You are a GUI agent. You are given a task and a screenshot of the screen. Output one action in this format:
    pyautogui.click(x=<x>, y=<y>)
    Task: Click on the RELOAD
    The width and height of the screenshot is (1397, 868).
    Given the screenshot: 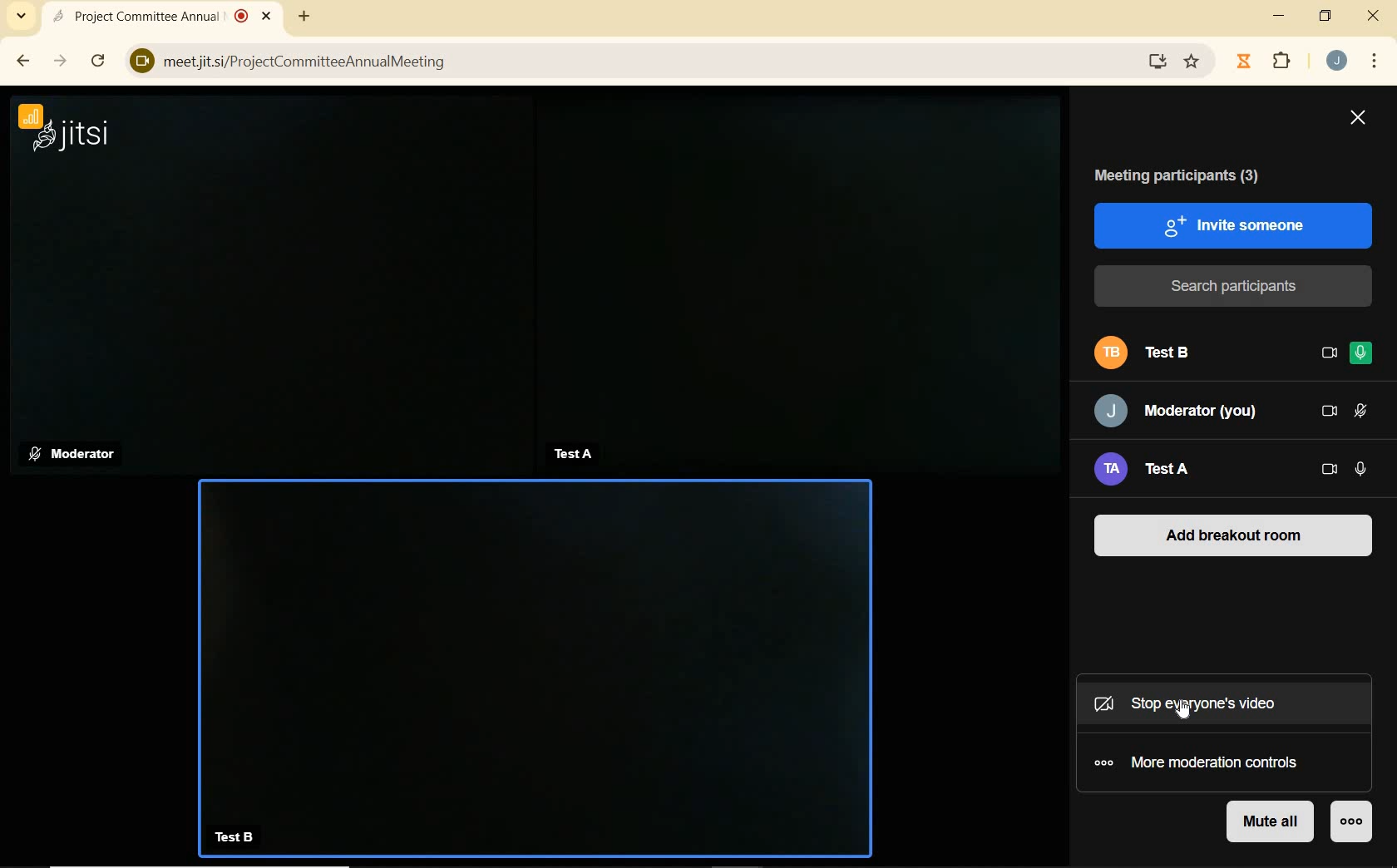 What is the action you would take?
    pyautogui.click(x=98, y=60)
    